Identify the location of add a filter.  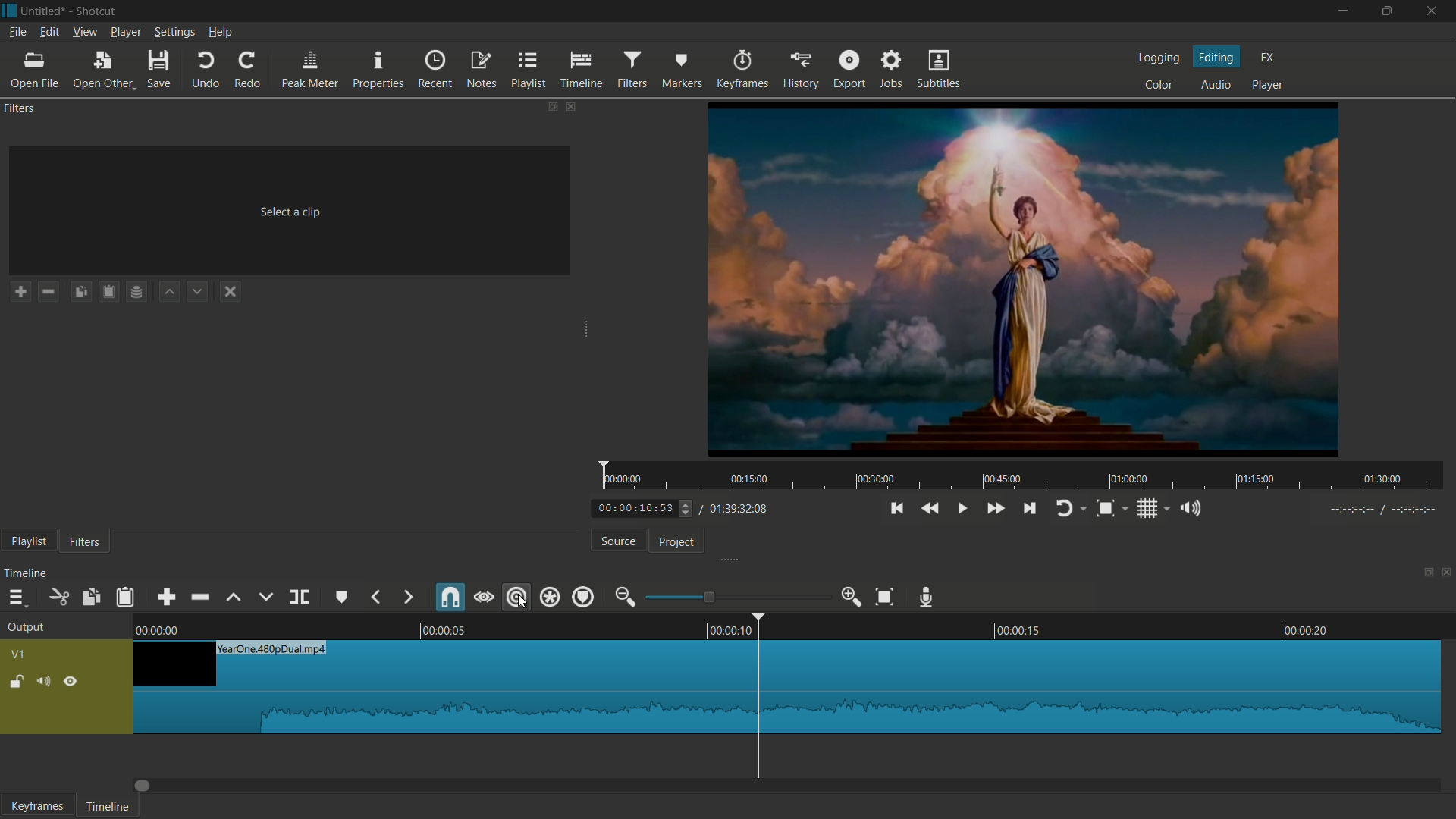
(19, 291).